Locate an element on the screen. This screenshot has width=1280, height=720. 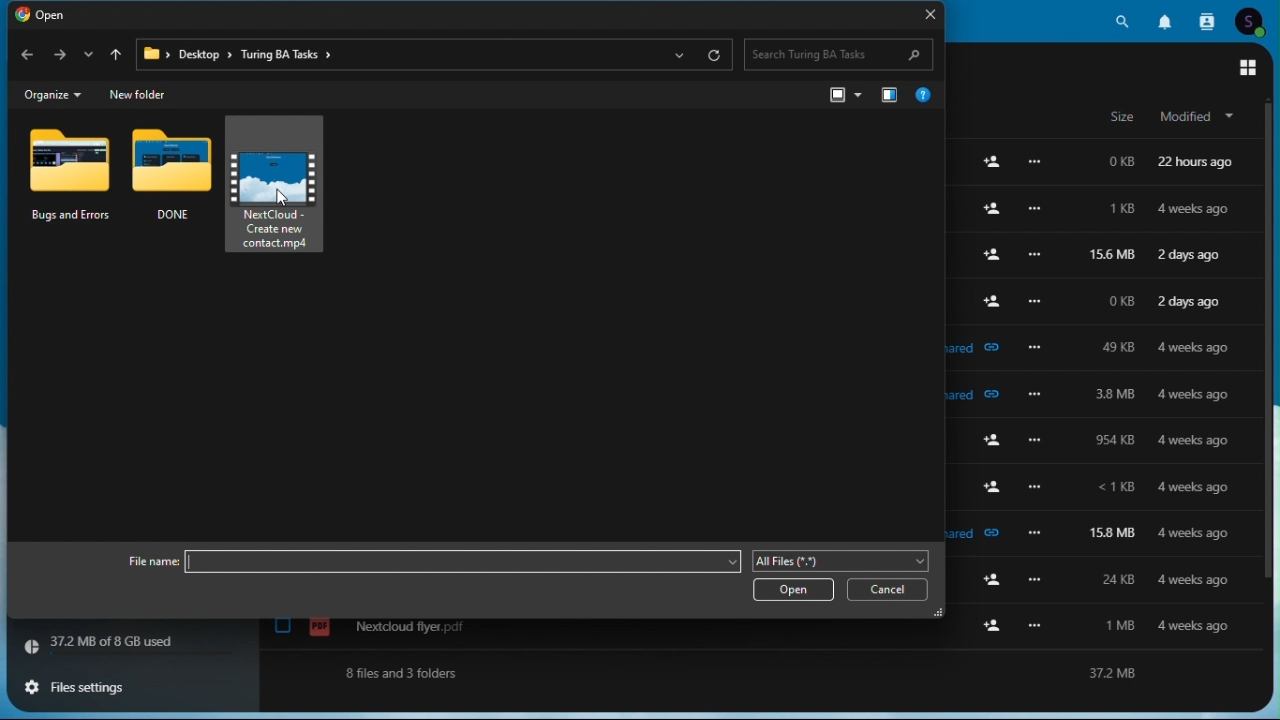
main menu is located at coordinates (1236, 69).